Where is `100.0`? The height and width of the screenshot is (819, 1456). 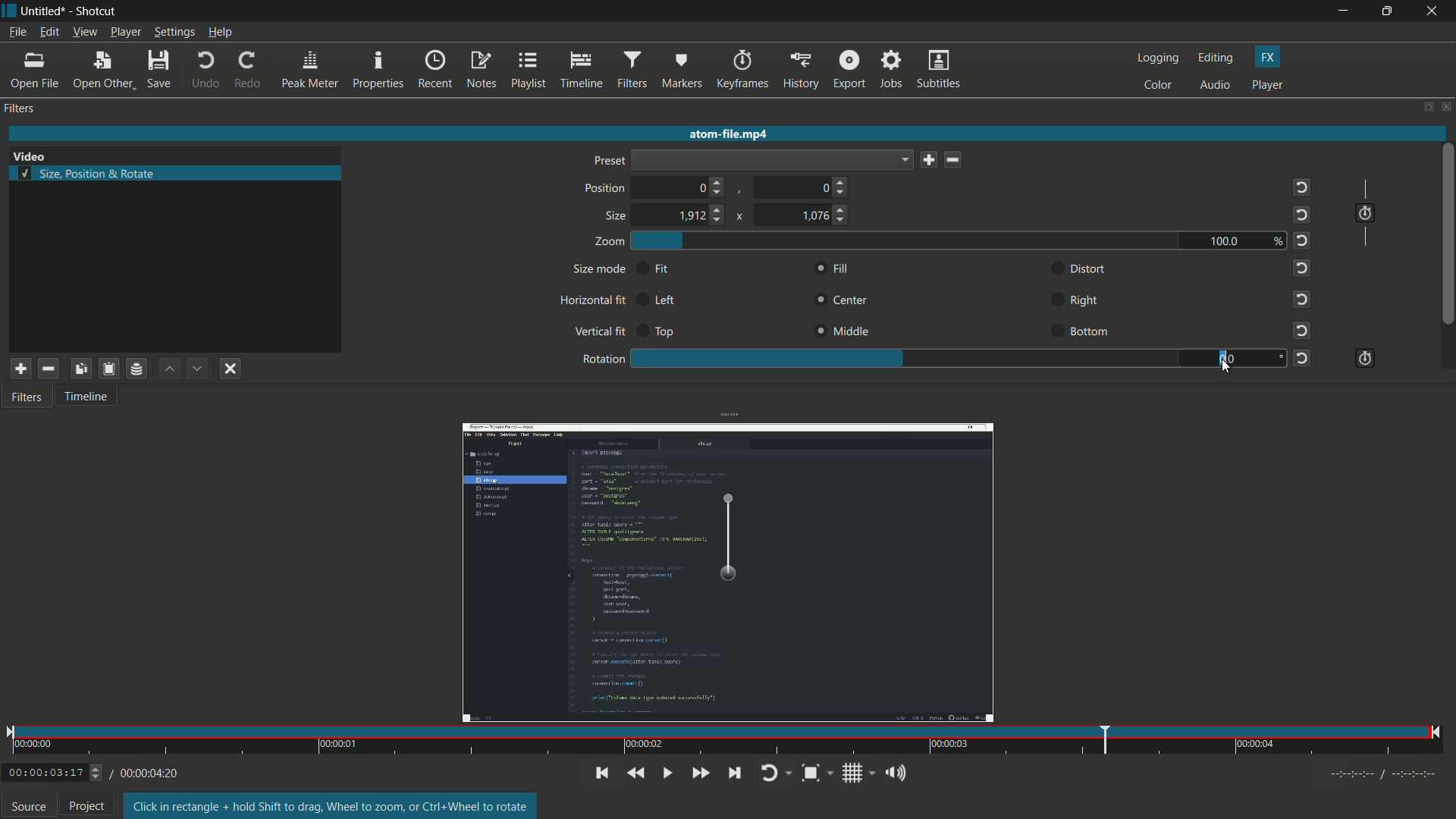
100.0 is located at coordinates (1222, 240).